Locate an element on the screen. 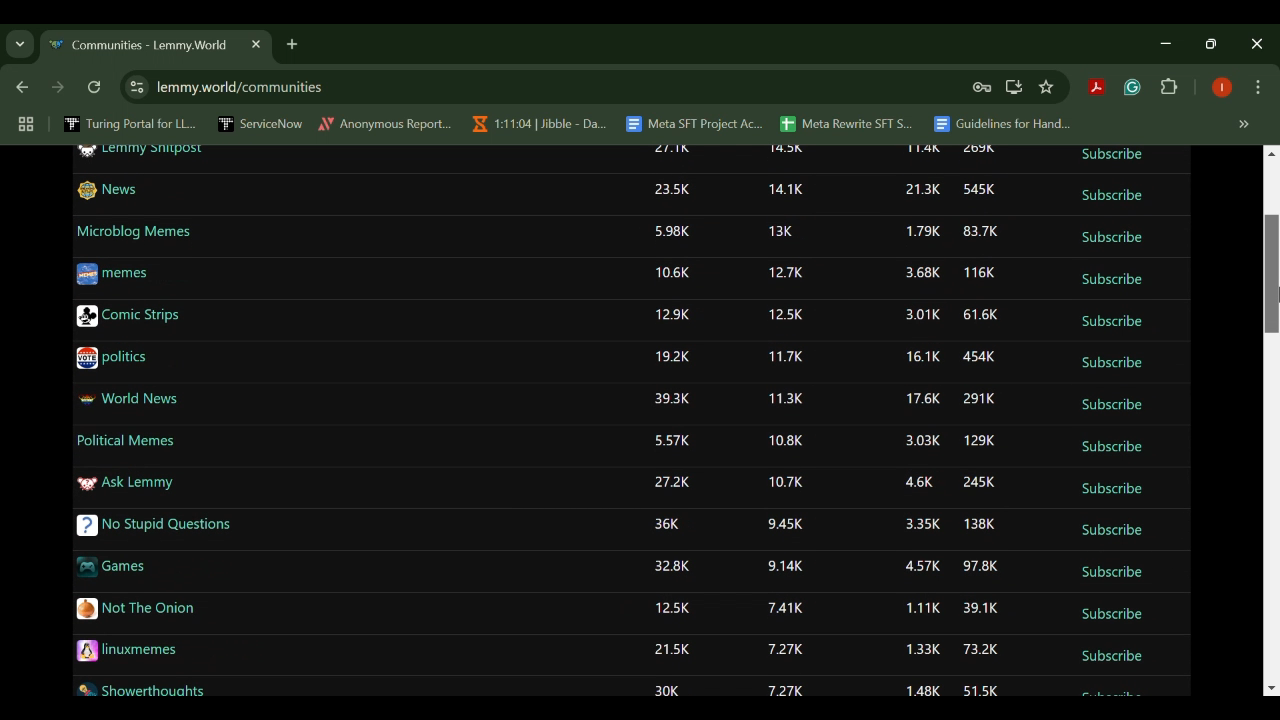  Subscribe is located at coordinates (1114, 656).